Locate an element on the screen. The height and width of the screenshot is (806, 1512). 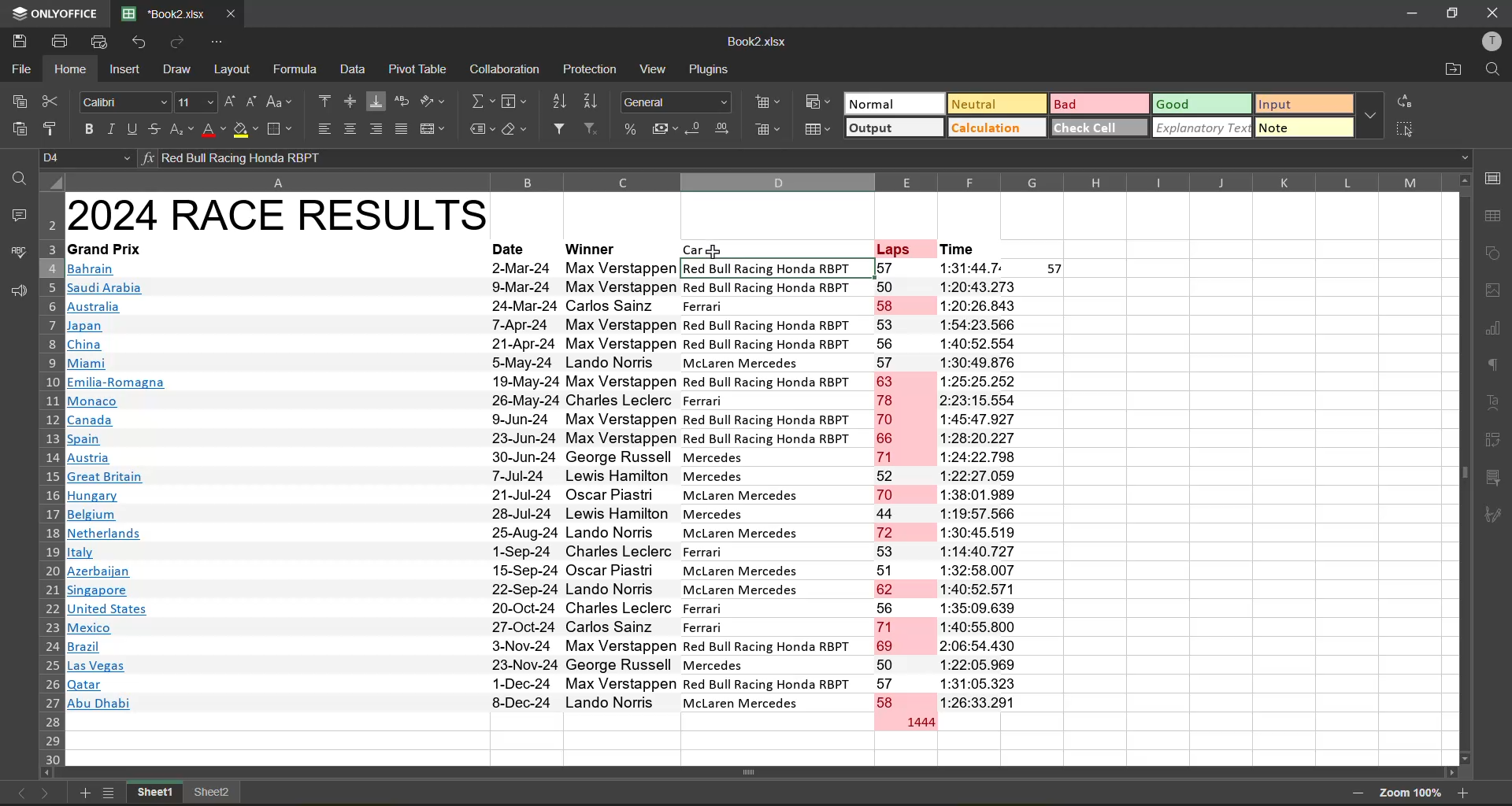
check cell is located at coordinates (1100, 130).